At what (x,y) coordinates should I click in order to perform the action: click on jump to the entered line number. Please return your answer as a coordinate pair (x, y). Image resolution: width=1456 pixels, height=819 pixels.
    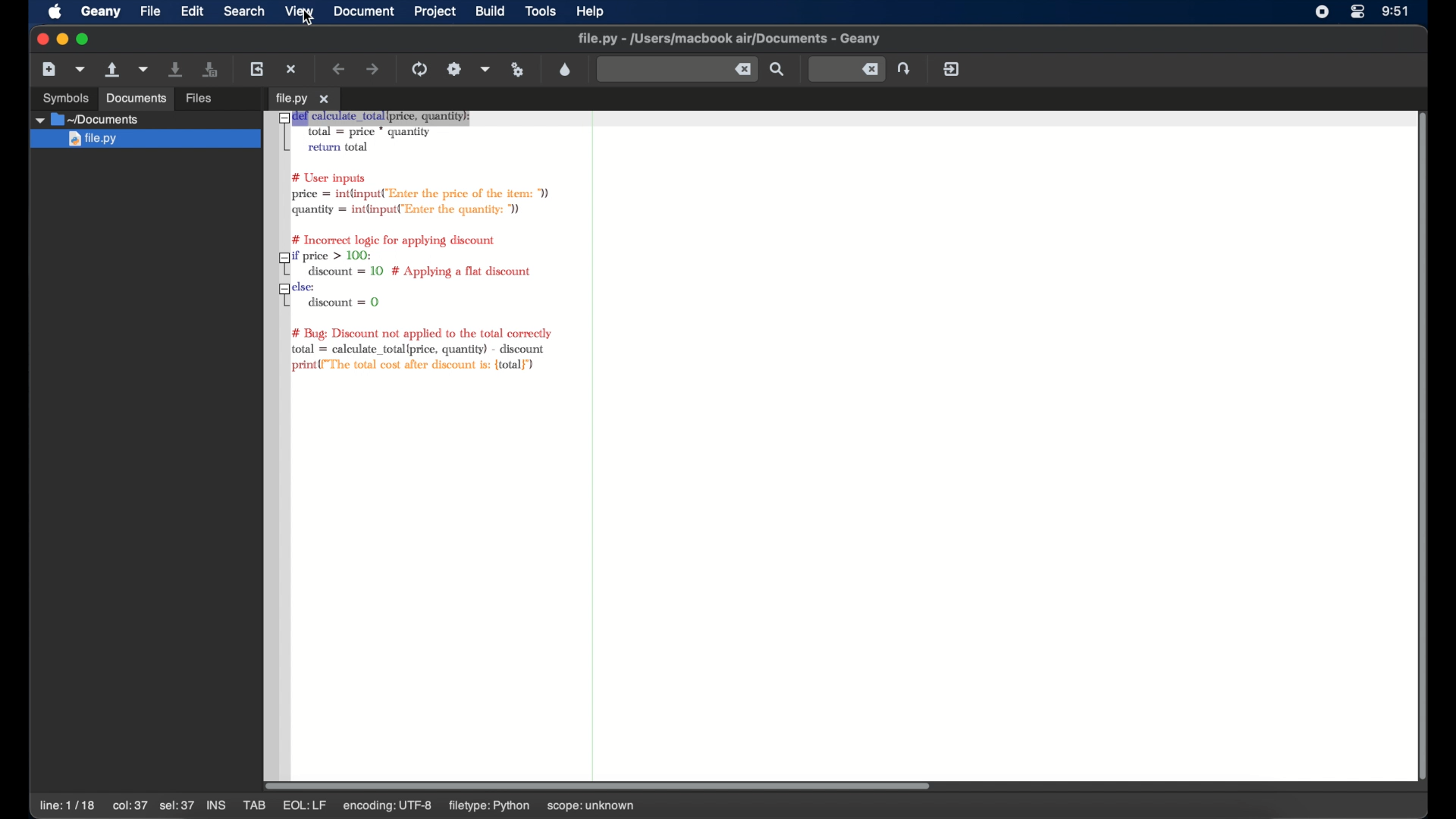
    Looking at the image, I should click on (905, 68).